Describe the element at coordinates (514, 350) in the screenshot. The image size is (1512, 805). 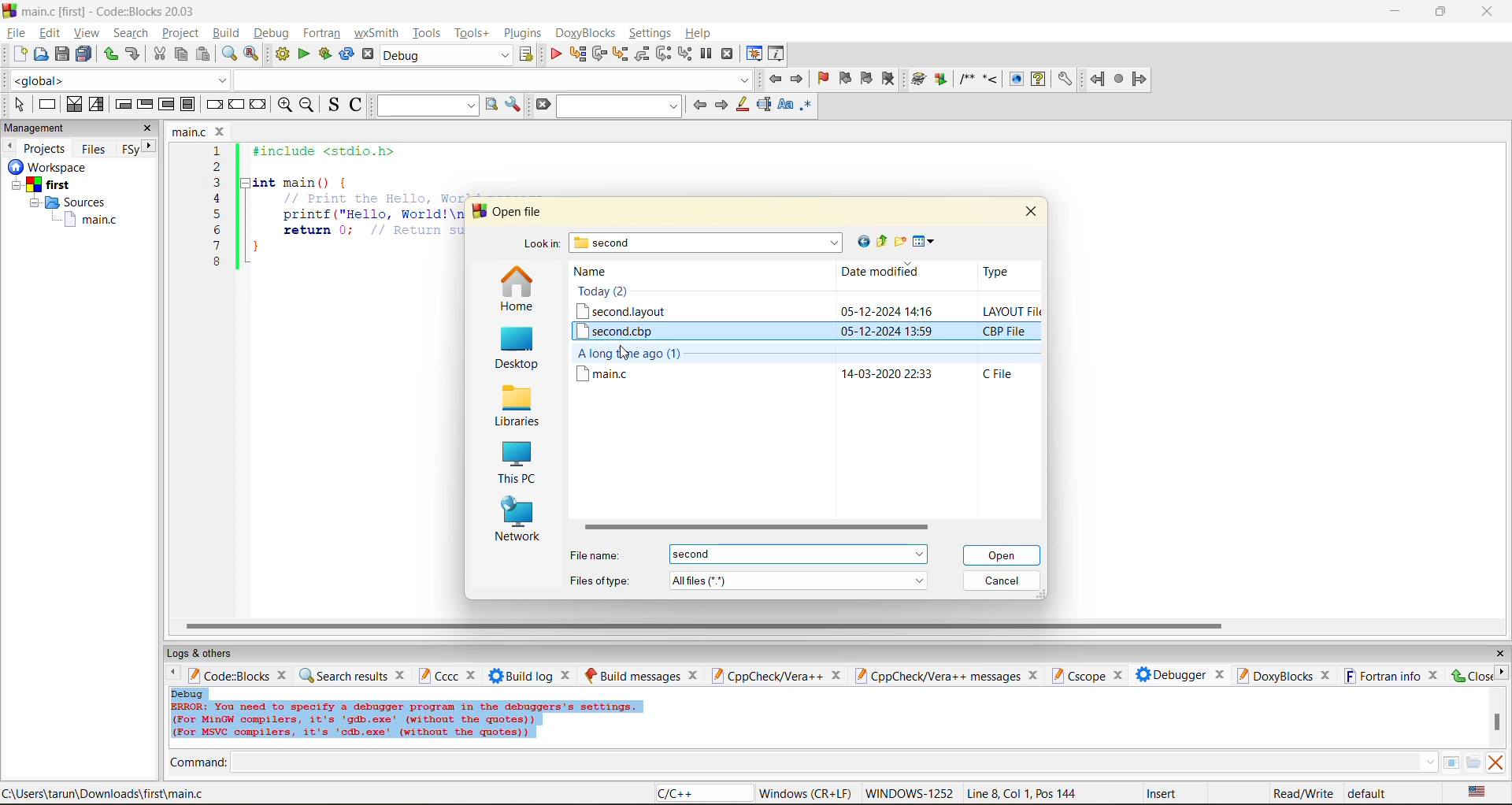
I see `desktop` at that location.